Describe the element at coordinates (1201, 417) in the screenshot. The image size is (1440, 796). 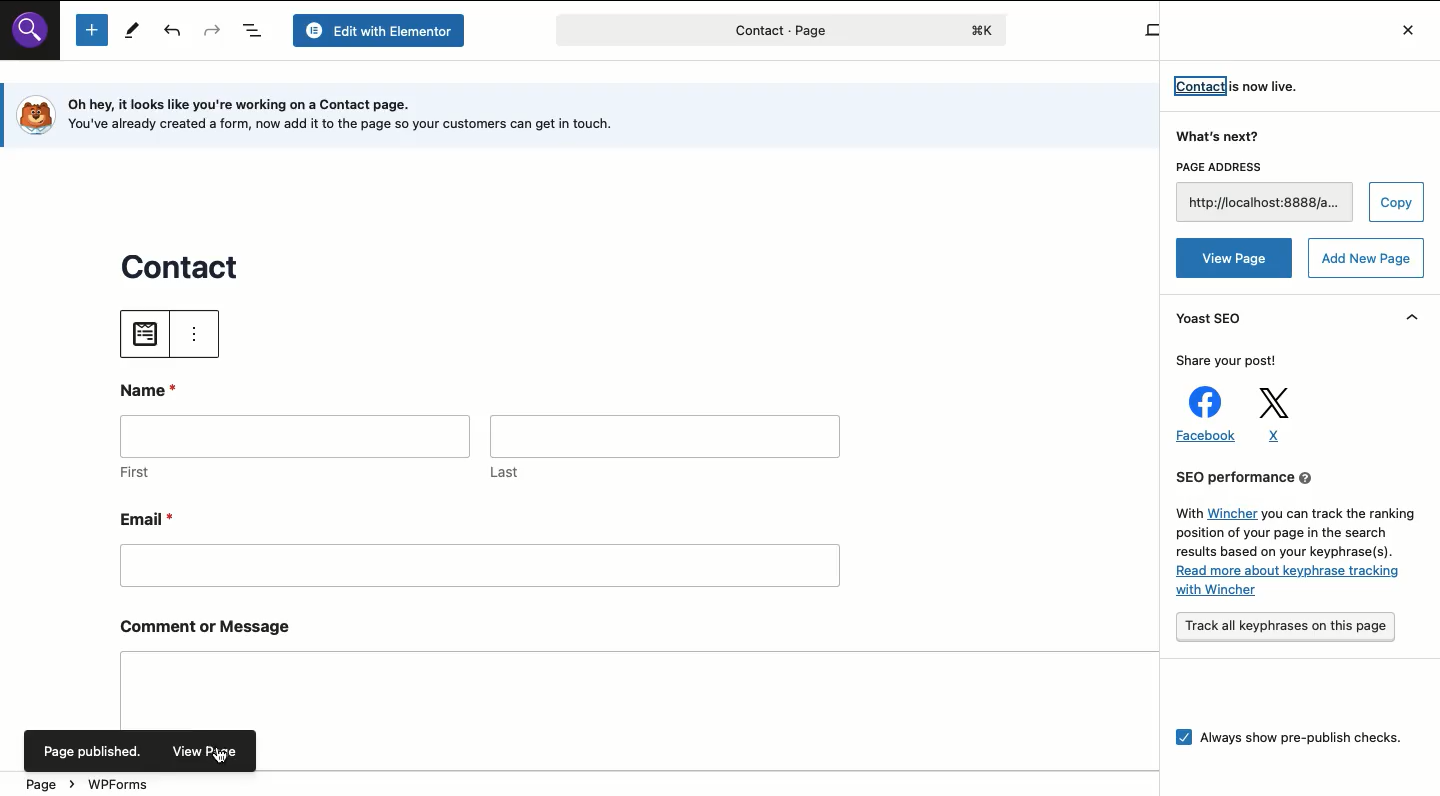
I see `Facebook` at that location.